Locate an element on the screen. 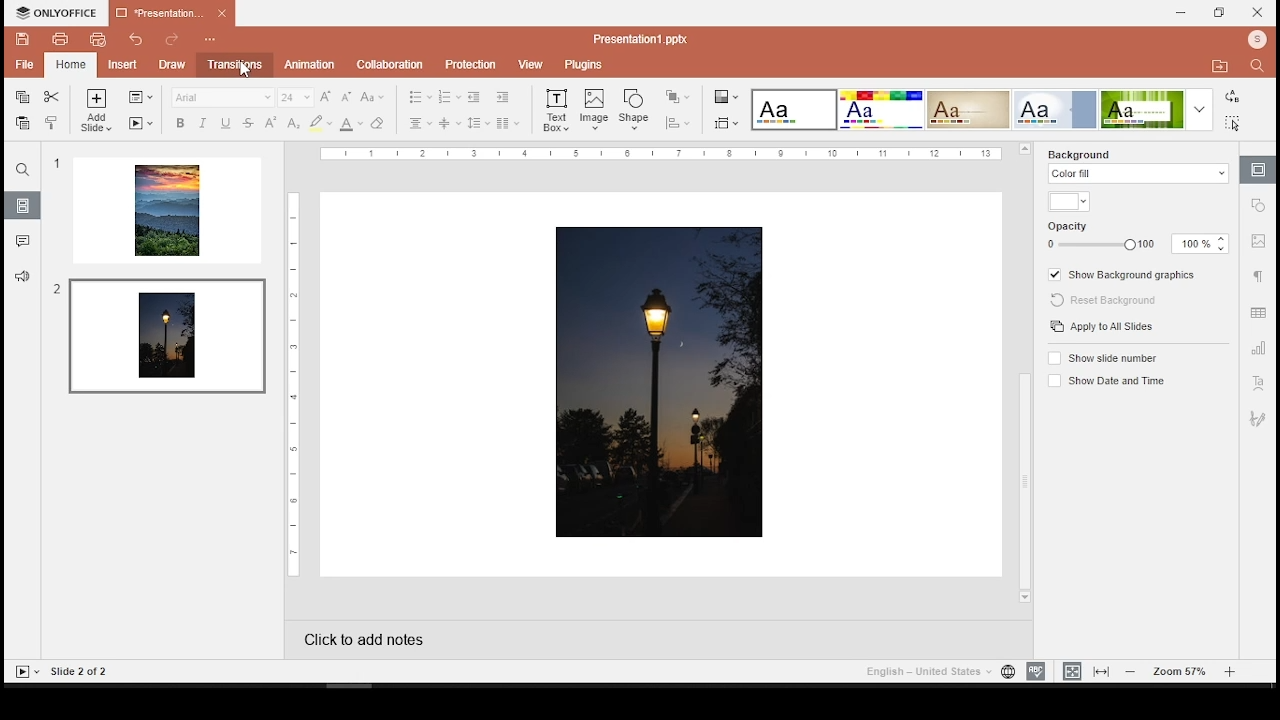 This screenshot has width=1280, height=720. slide 2 is located at coordinates (165, 334).